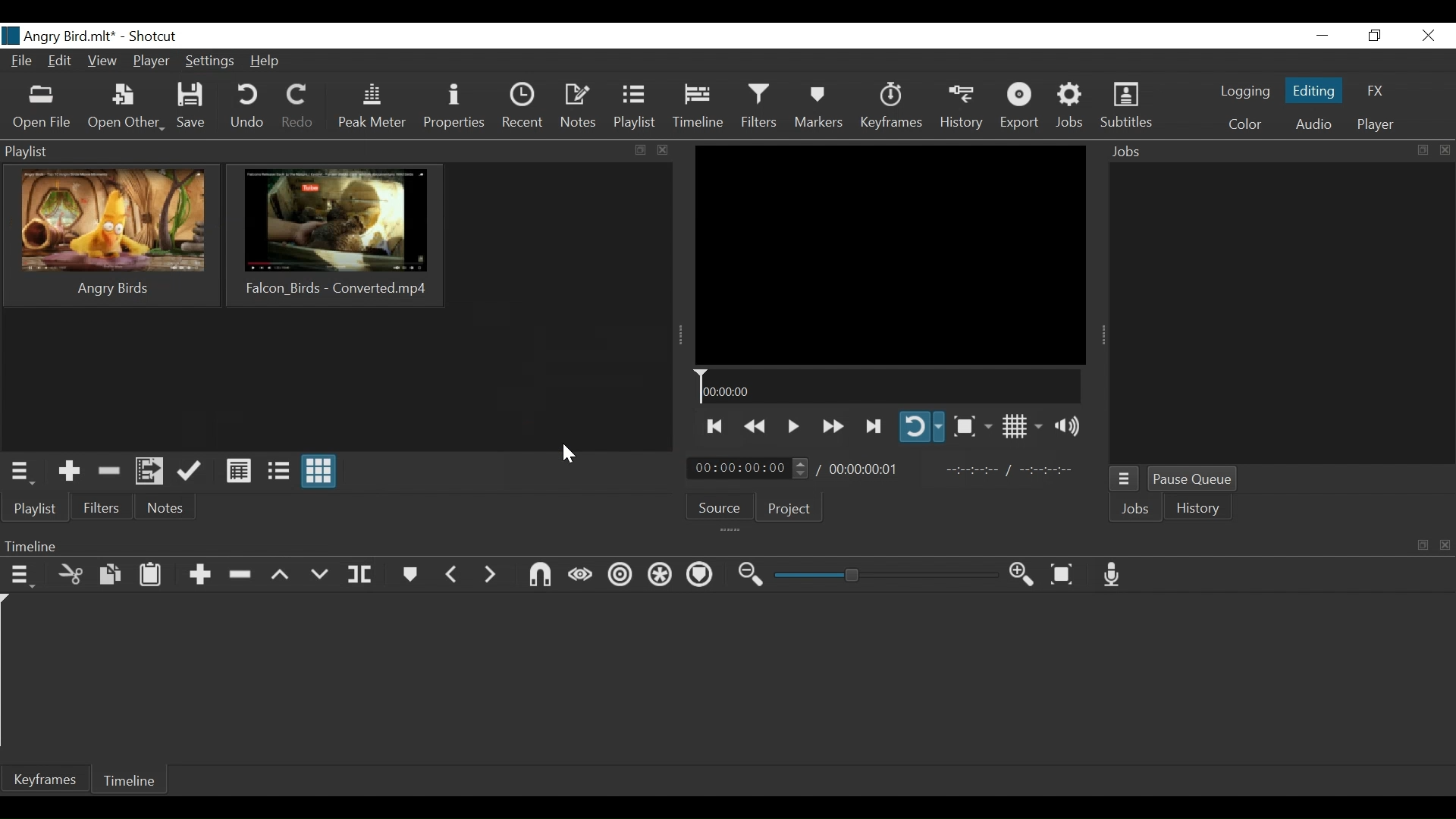 This screenshot has height=819, width=1456. Describe the element at coordinates (1313, 127) in the screenshot. I see `Audio` at that location.